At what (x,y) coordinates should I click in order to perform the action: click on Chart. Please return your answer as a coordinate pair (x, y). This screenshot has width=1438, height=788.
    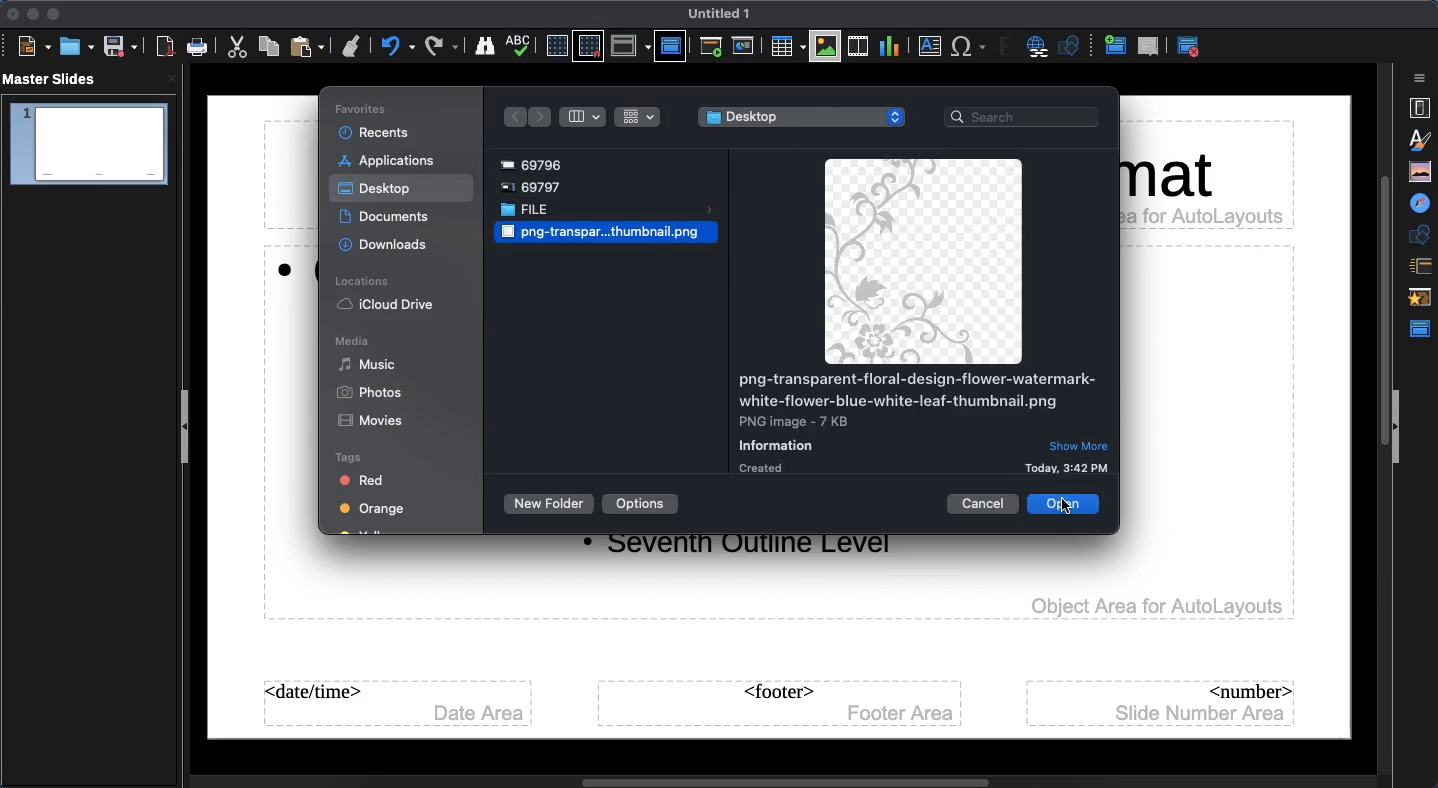
    Looking at the image, I should click on (889, 45).